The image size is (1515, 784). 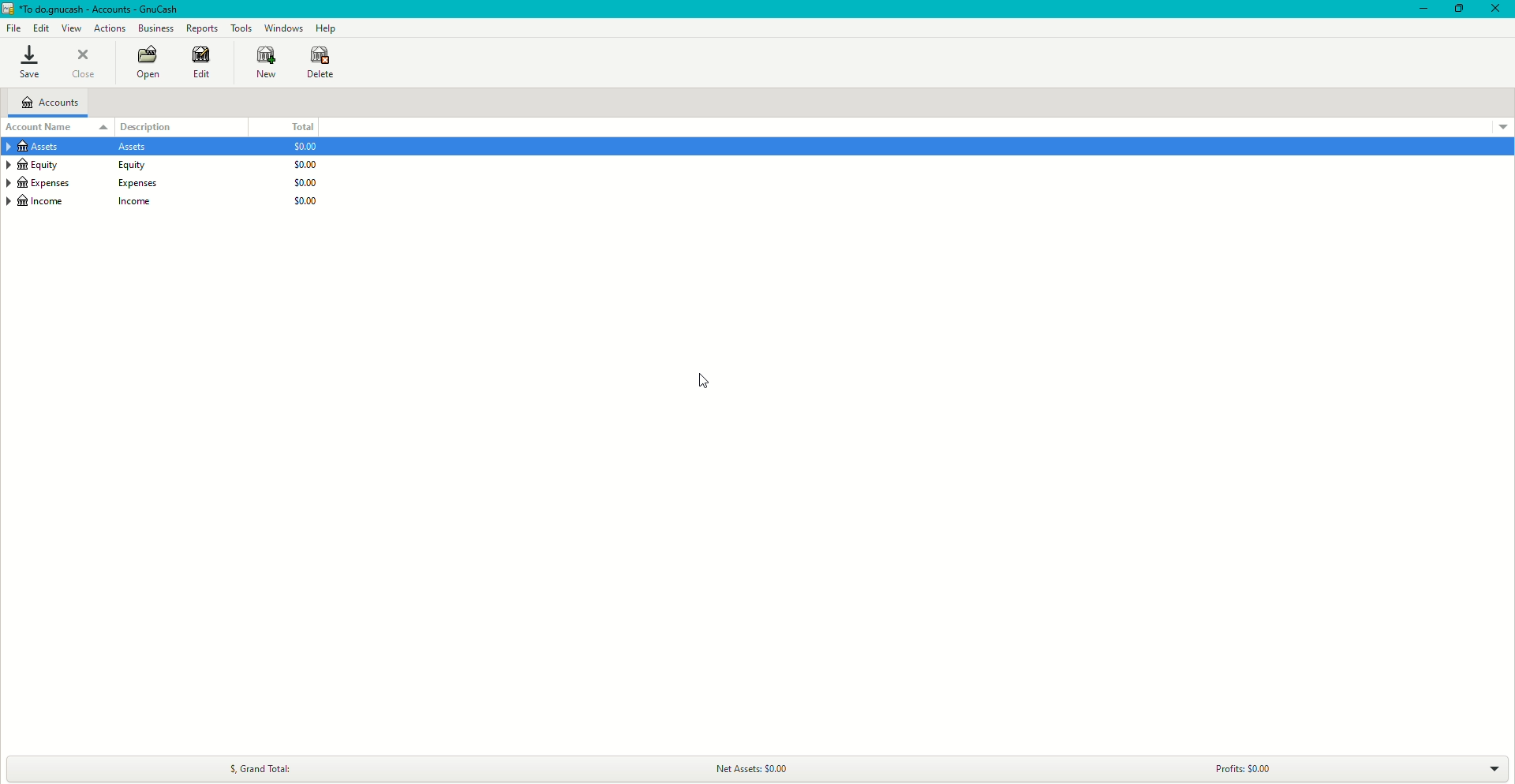 What do you see at coordinates (698, 382) in the screenshot?
I see `Cursor` at bounding box center [698, 382].